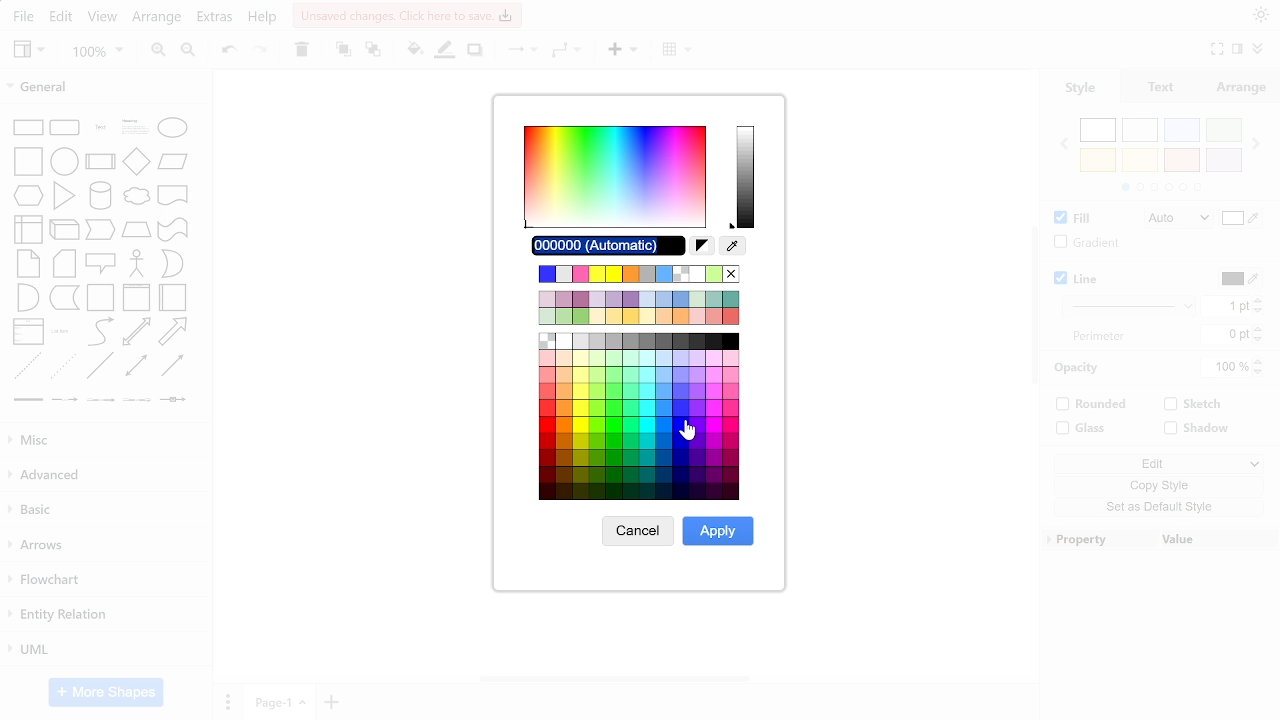 This screenshot has width=1280, height=720. Describe the element at coordinates (230, 53) in the screenshot. I see `undo` at that location.